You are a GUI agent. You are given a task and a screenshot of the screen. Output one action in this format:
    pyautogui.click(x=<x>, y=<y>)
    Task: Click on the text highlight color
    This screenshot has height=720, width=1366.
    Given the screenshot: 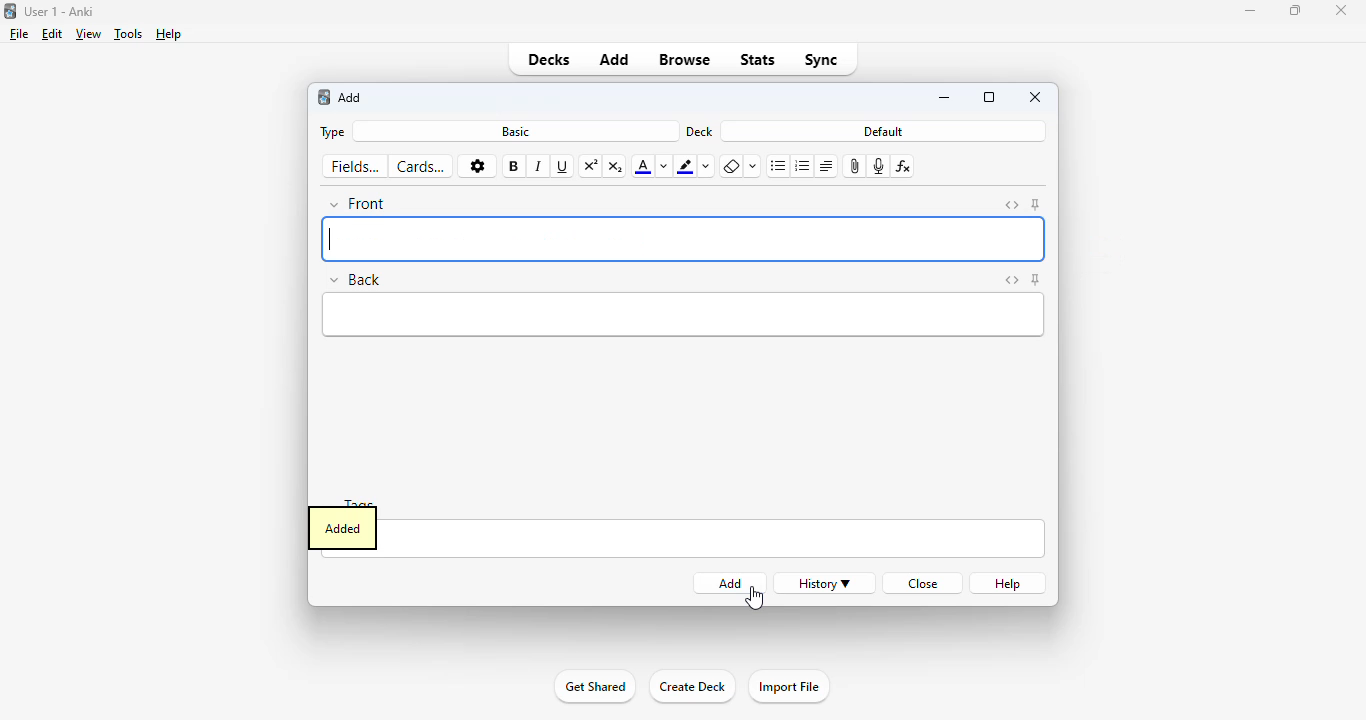 What is the action you would take?
    pyautogui.click(x=685, y=166)
    